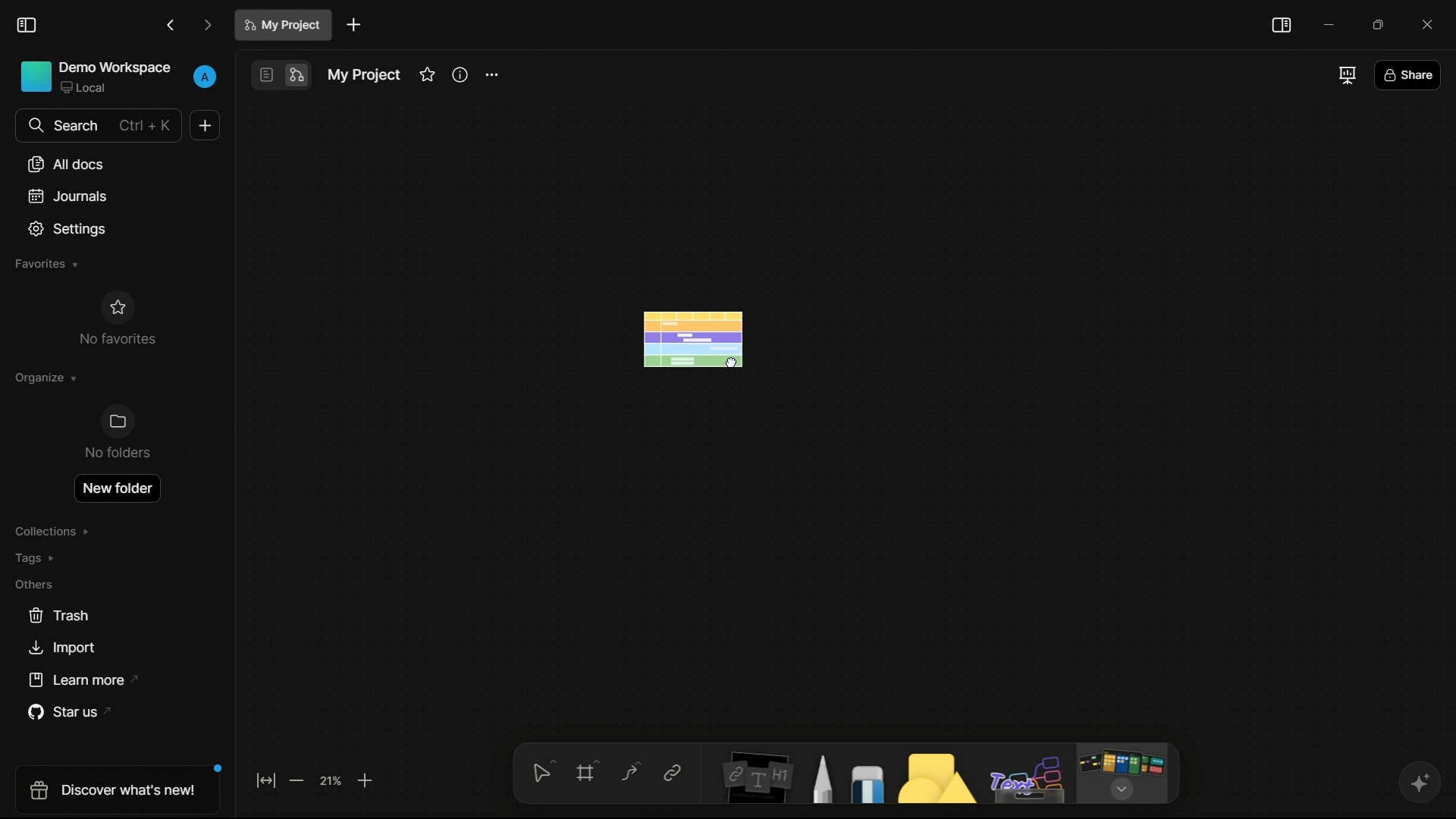 This screenshot has width=1456, height=819. What do you see at coordinates (65, 196) in the screenshot?
I see `journals` at bounding box center [65, 196].